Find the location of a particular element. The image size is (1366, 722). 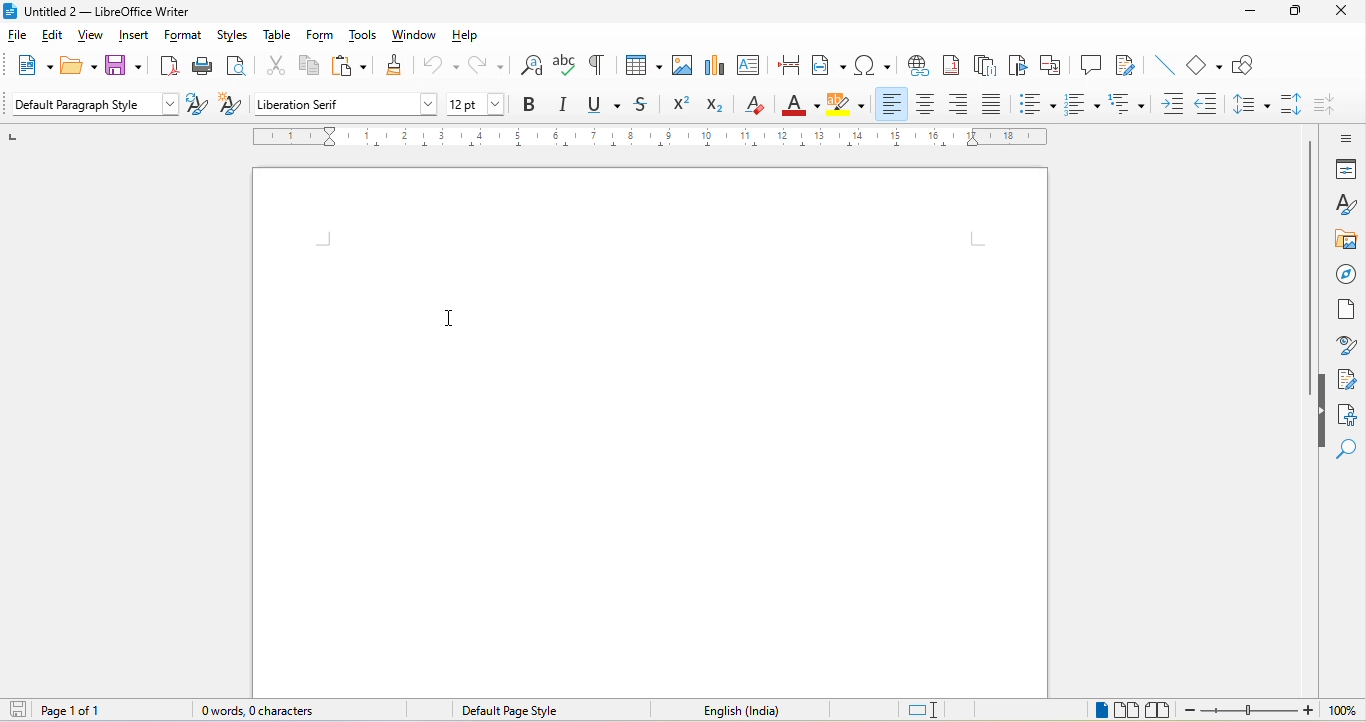

show draw function is located at coordinates (1246, 68).